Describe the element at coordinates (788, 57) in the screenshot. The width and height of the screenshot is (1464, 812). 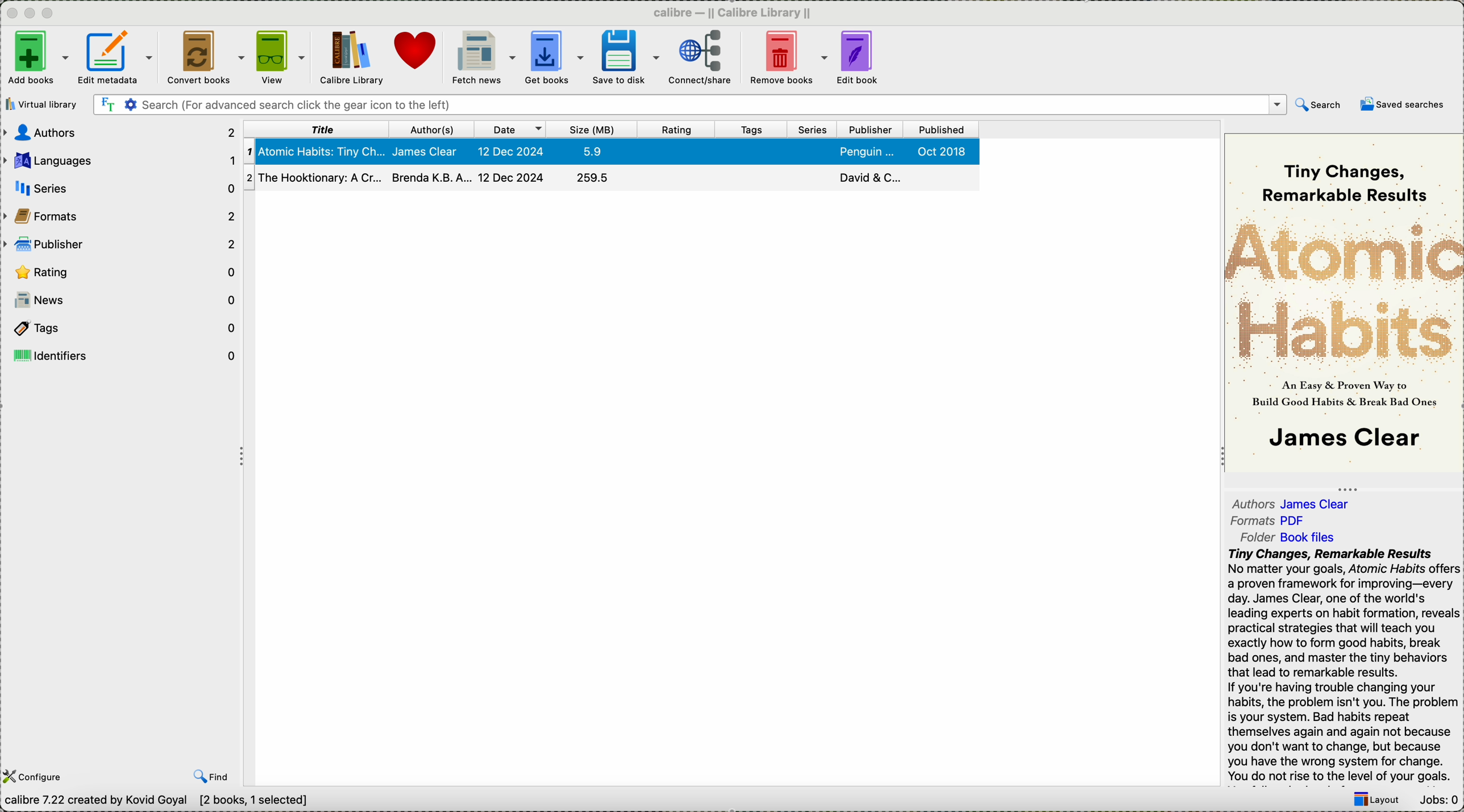
I see `remove books` at that location.